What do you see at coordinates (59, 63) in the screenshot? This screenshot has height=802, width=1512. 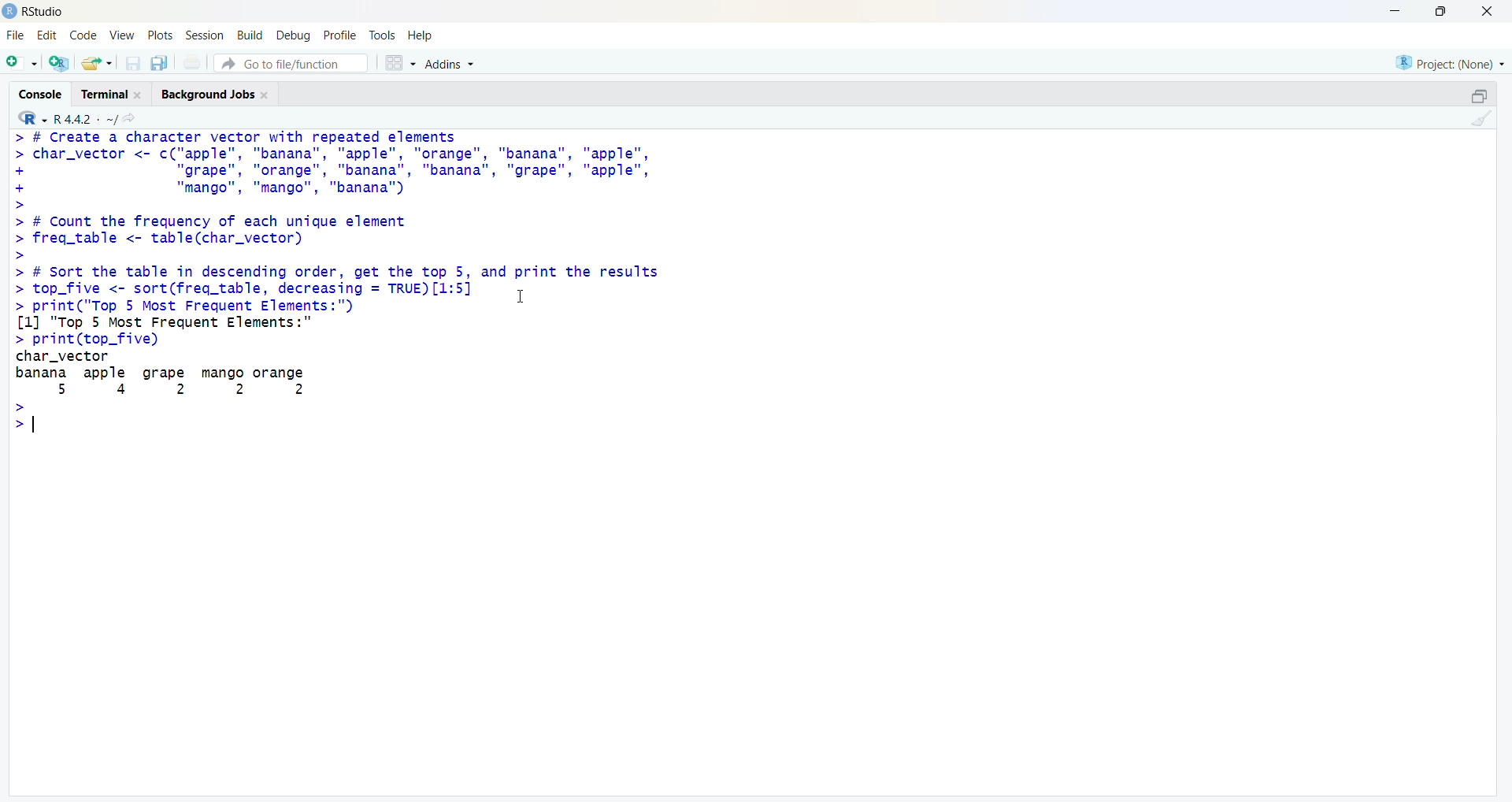 I see `Create a project` at bounding box center [59, 63].